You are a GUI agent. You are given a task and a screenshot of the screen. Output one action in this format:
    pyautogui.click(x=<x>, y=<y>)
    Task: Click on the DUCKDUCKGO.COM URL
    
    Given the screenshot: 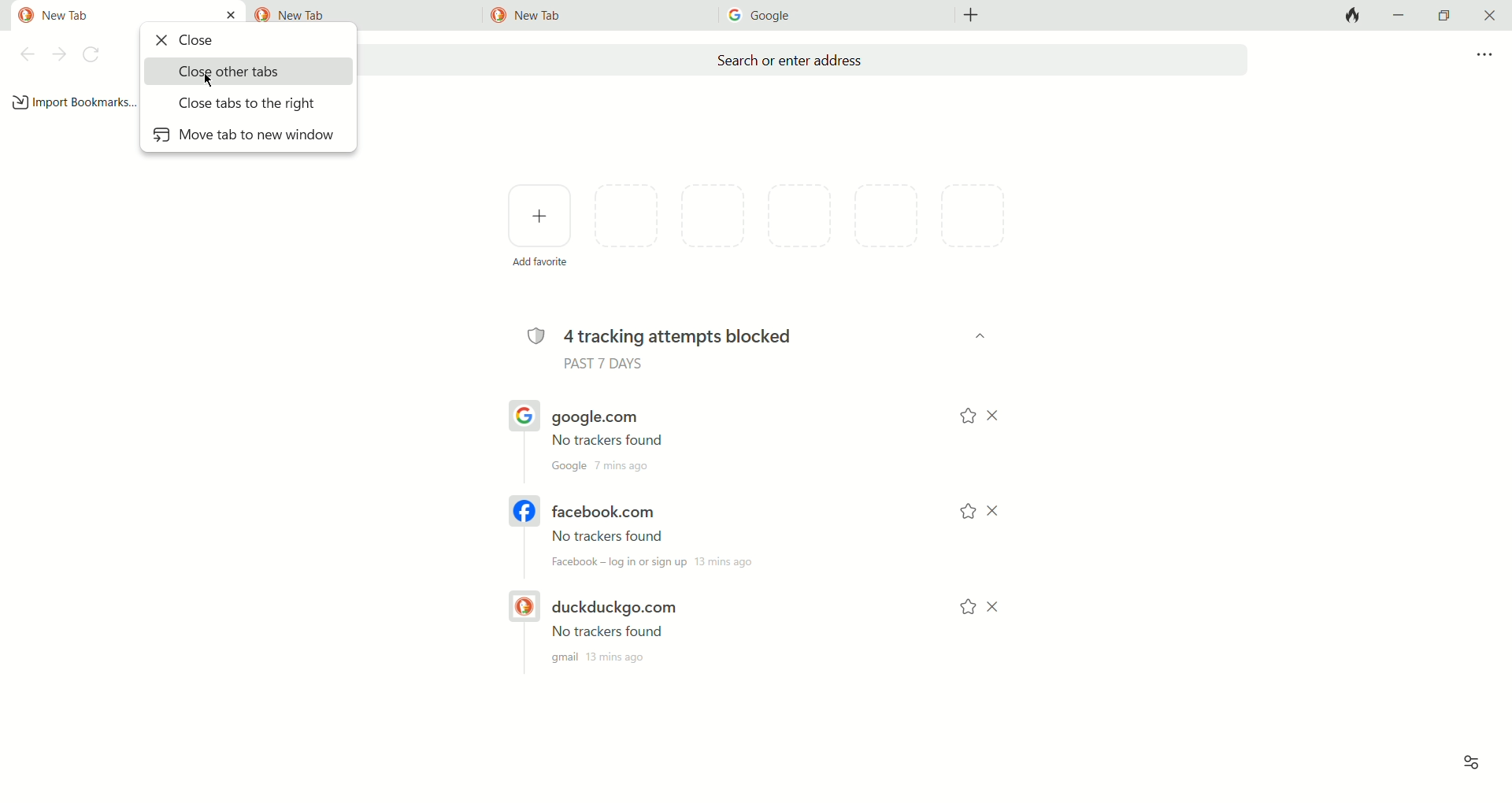 What is the action you would take?
    pyautogui.click(x=636, y=628)
    